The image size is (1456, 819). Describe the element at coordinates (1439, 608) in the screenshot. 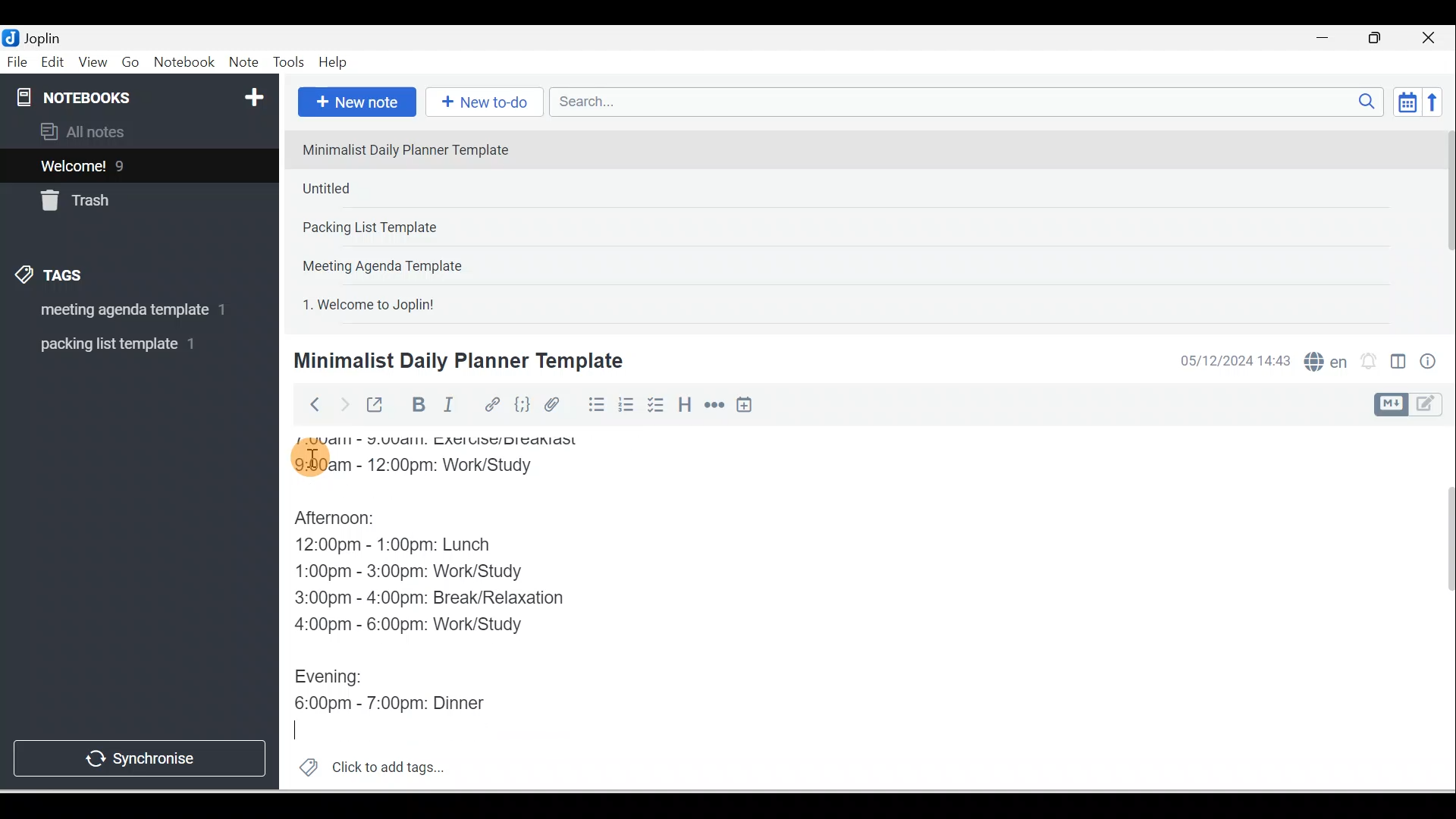

I see `Scroll bar` at that location.